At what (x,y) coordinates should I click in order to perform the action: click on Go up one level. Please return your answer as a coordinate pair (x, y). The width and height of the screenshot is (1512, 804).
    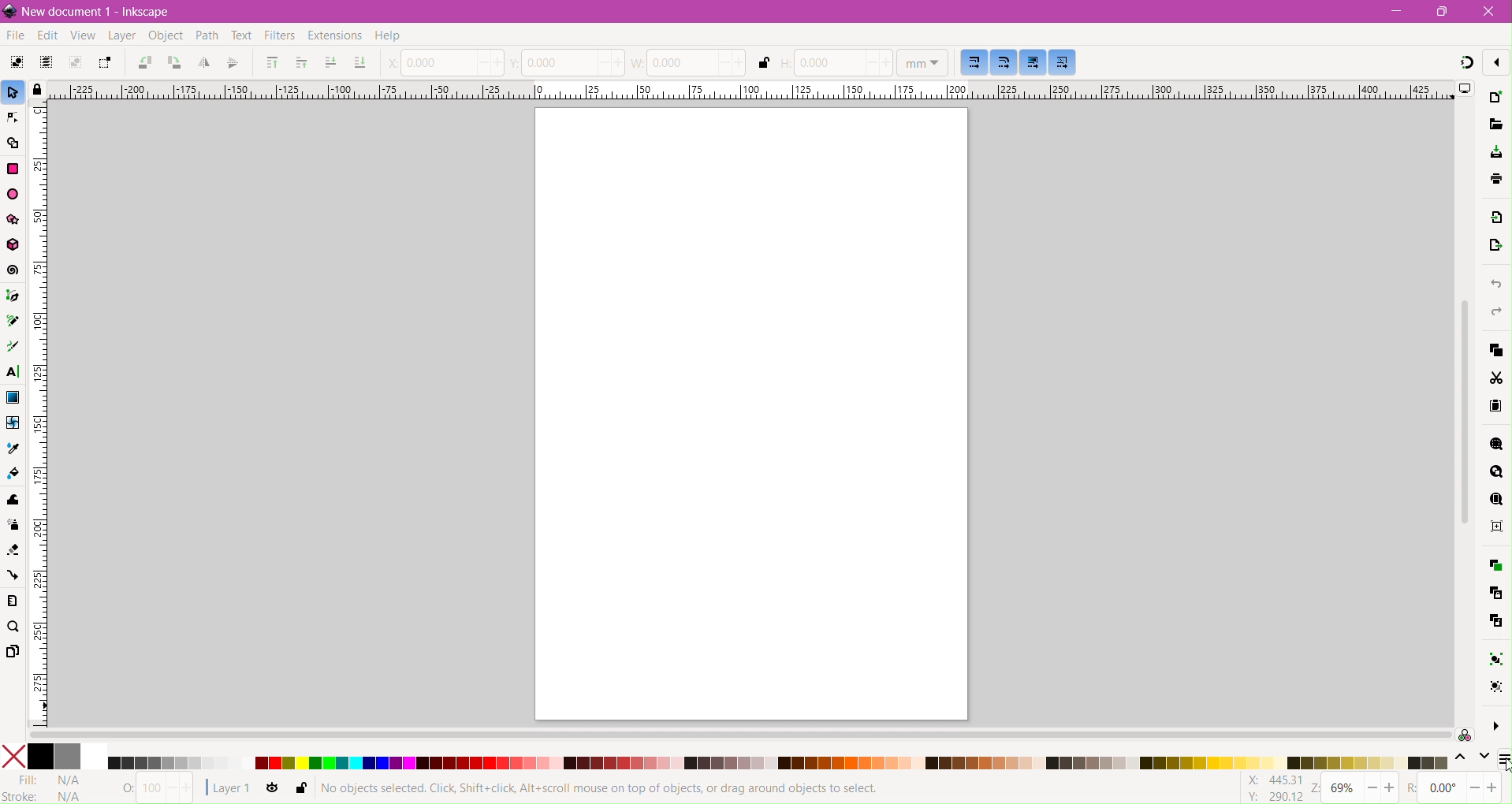
    Looking at the image, I should click on (1460, 760).